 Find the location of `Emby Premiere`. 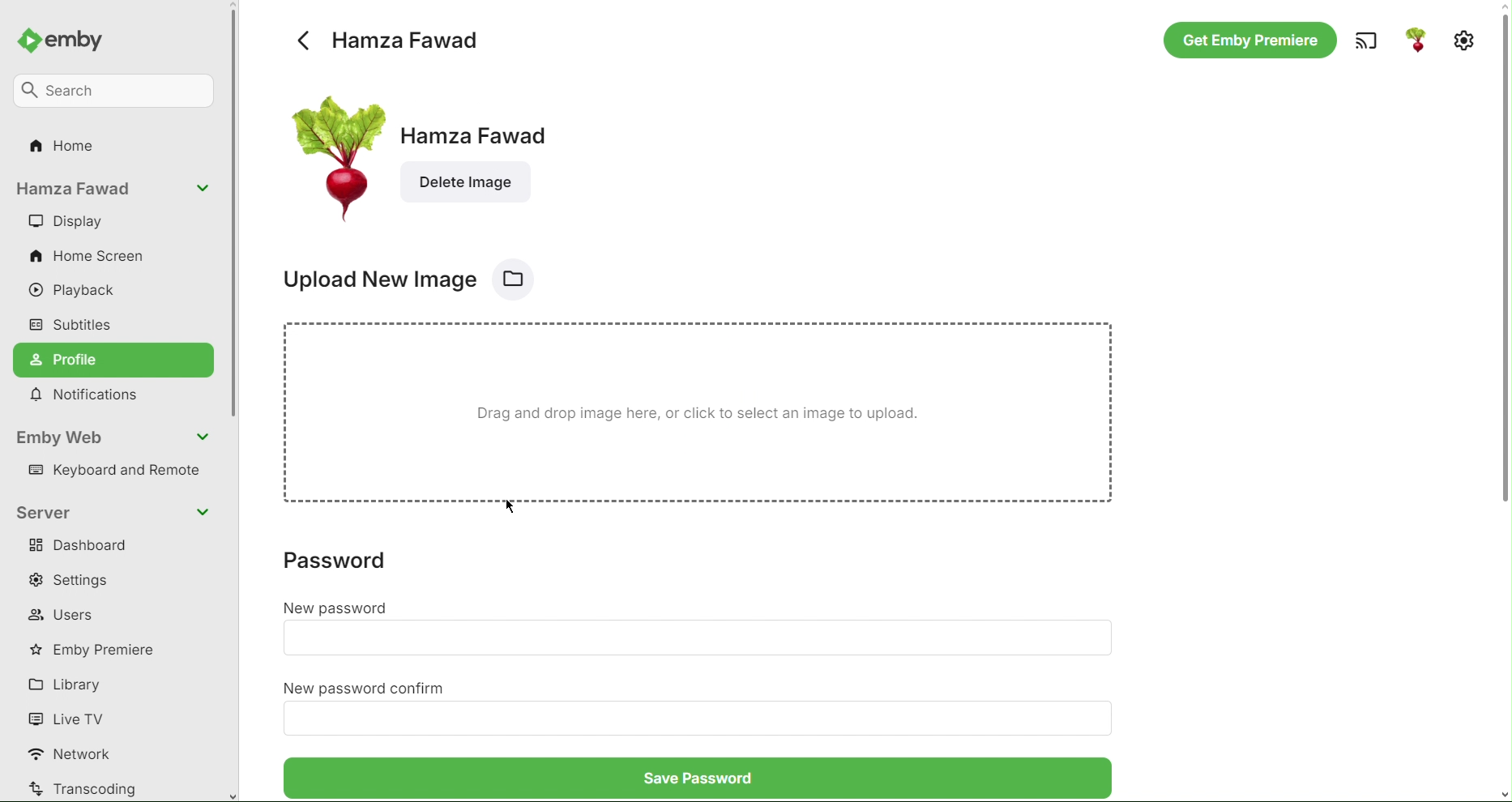

Emby Premiere is located at coordinates (99, 649).